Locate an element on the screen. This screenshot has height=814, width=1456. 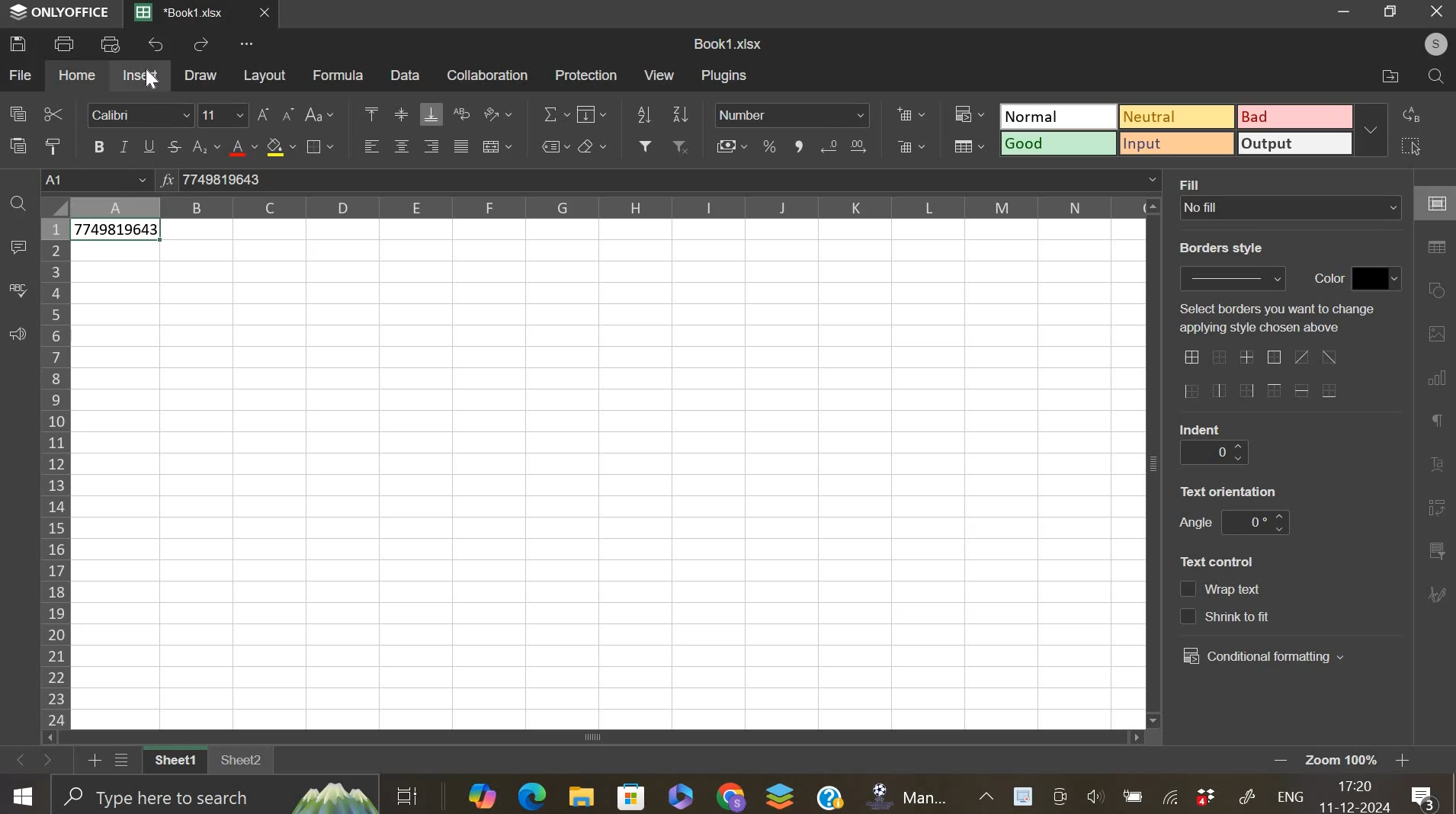
spelling is located at coordinates (18, 290).